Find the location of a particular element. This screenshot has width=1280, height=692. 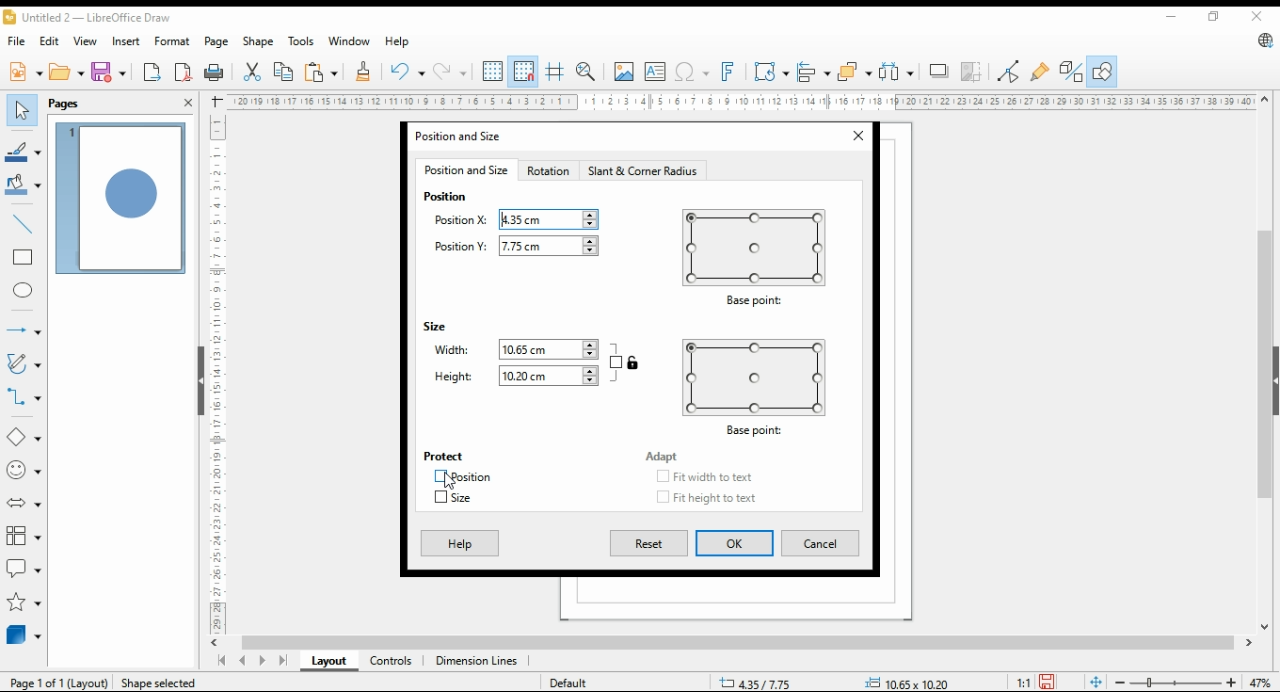

curves and polygons is located at coordinates (23, 364).